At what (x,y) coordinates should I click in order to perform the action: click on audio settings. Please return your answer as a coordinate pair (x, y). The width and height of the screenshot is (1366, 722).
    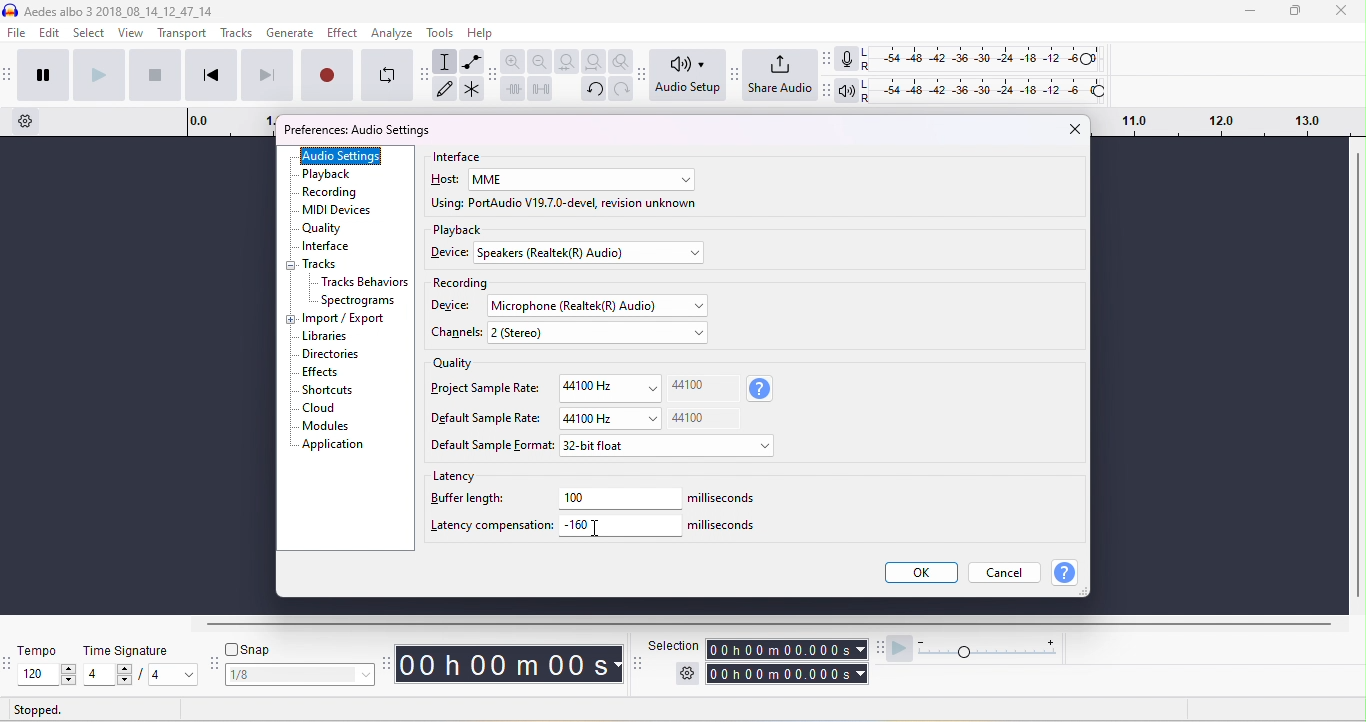
    Looking at the image, I should click on (342, 156).